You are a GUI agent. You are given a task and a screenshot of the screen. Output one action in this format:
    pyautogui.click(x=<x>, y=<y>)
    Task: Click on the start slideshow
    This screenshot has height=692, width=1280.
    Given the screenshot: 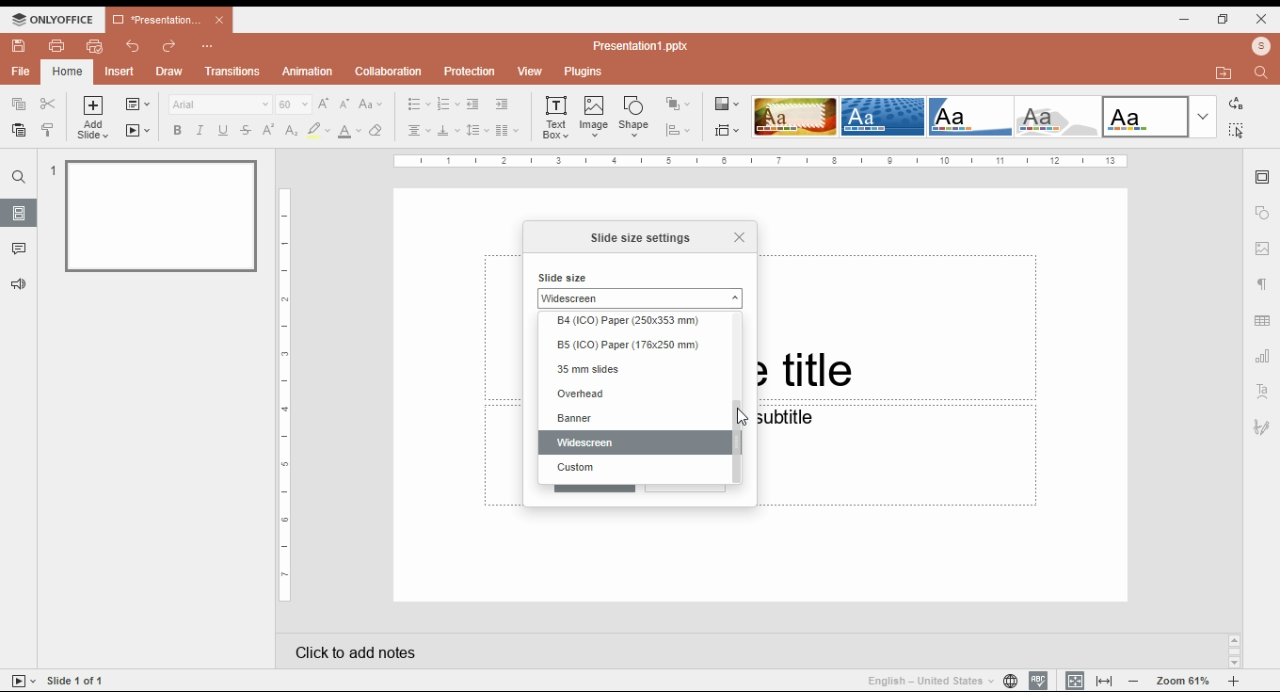 What is the action you would take?
    pyautogui.click(x=138, y=131)
    